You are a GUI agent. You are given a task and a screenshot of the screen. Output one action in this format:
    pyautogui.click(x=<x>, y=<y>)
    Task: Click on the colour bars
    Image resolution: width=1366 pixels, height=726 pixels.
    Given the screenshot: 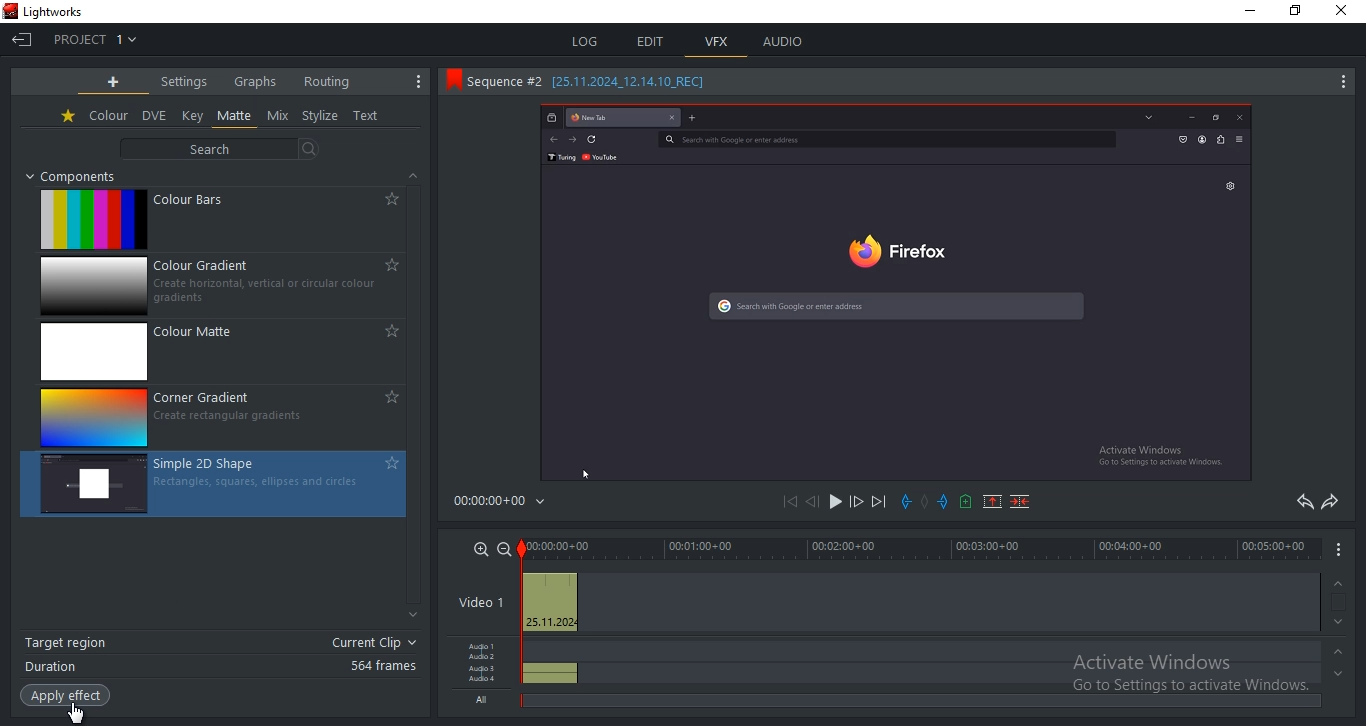 What is the action you would take?
    pyautogui.click(x=219, y=221)
    